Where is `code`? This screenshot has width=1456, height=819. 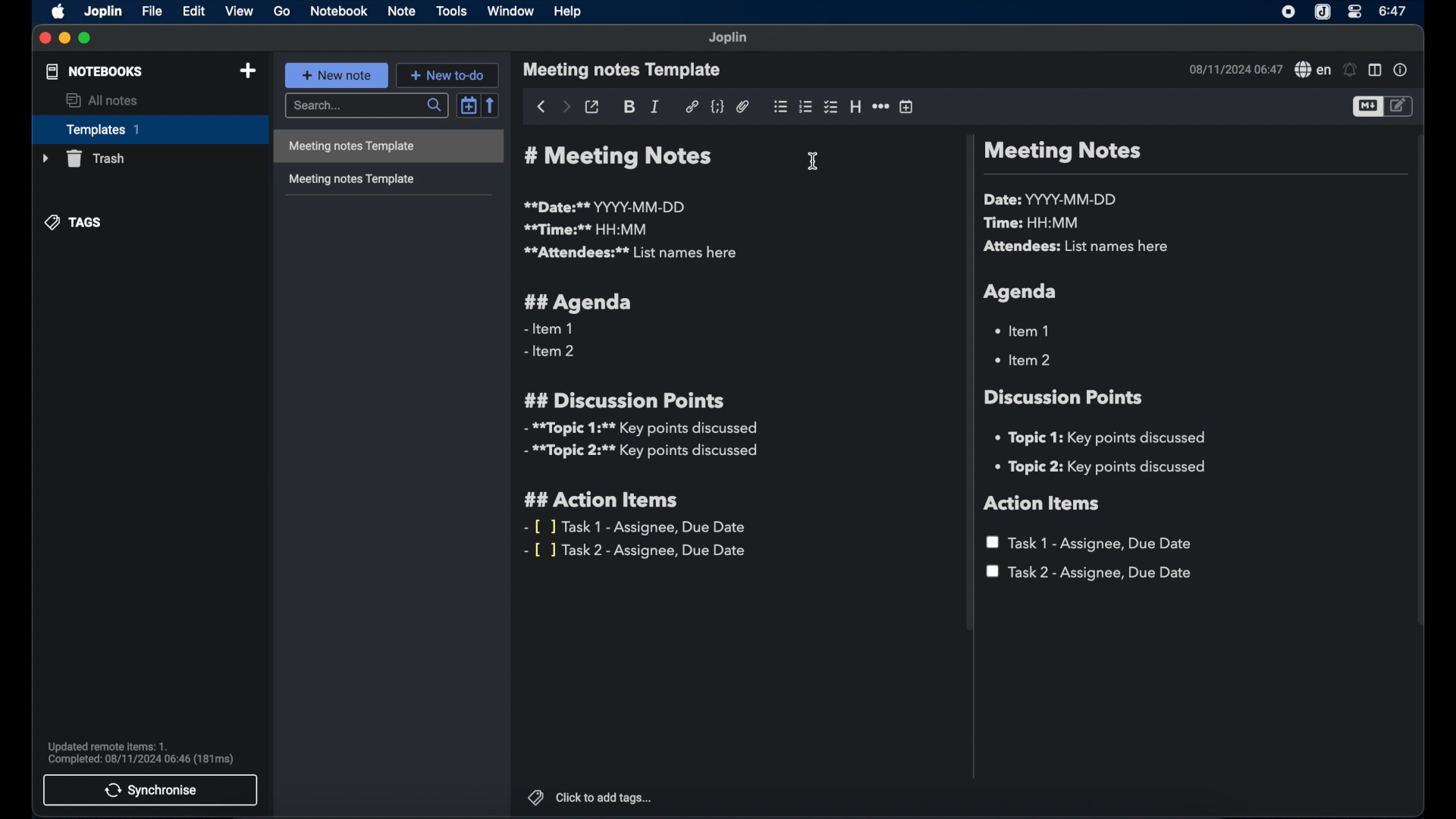
code is located at coordinates (718, 105).